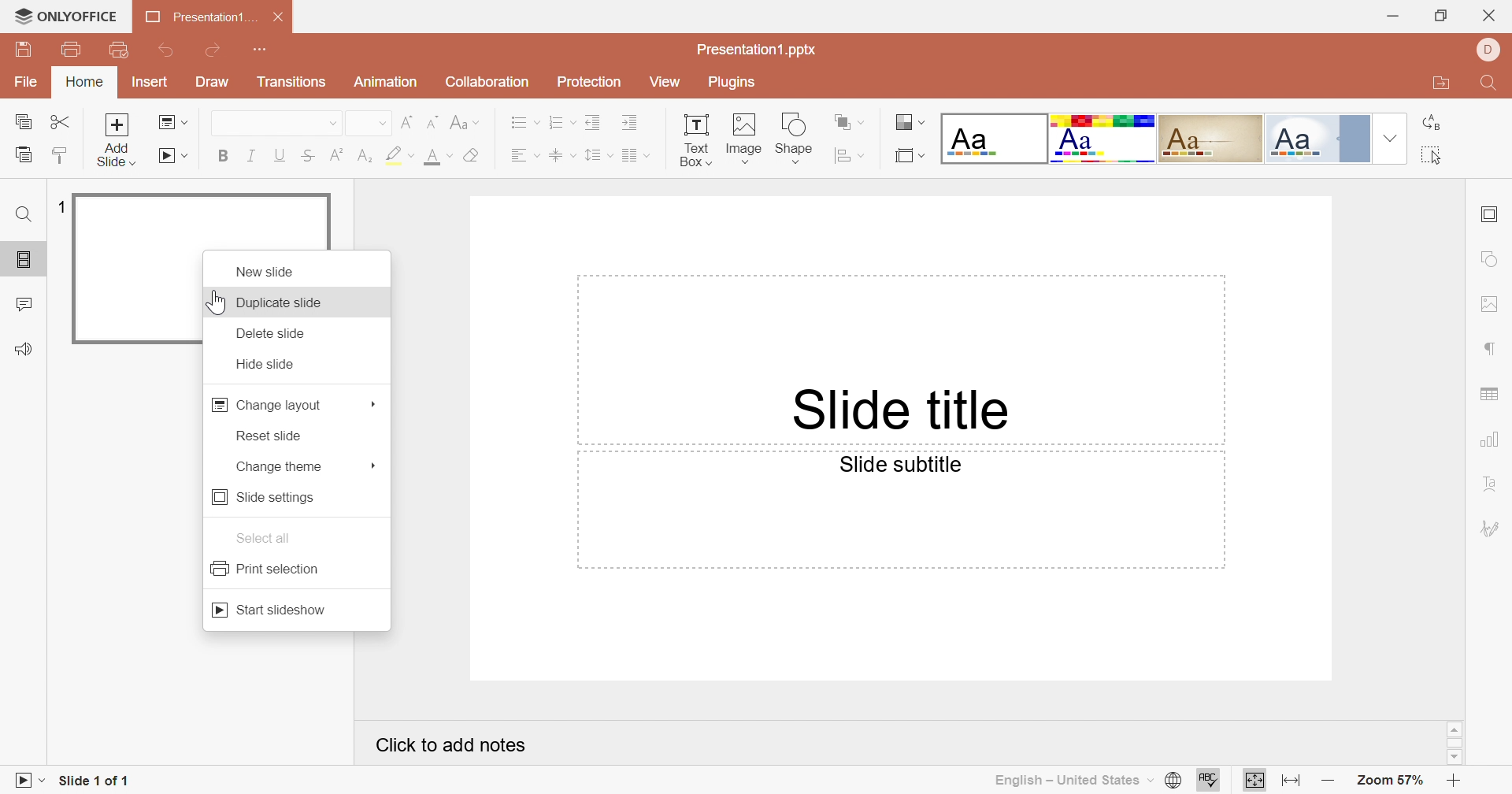 The width and height of the screenshot is (1512, 794). What do you see at coordinates (217, 50) in the screenshot?
I see `Redo` at bounding box center [217, 50].